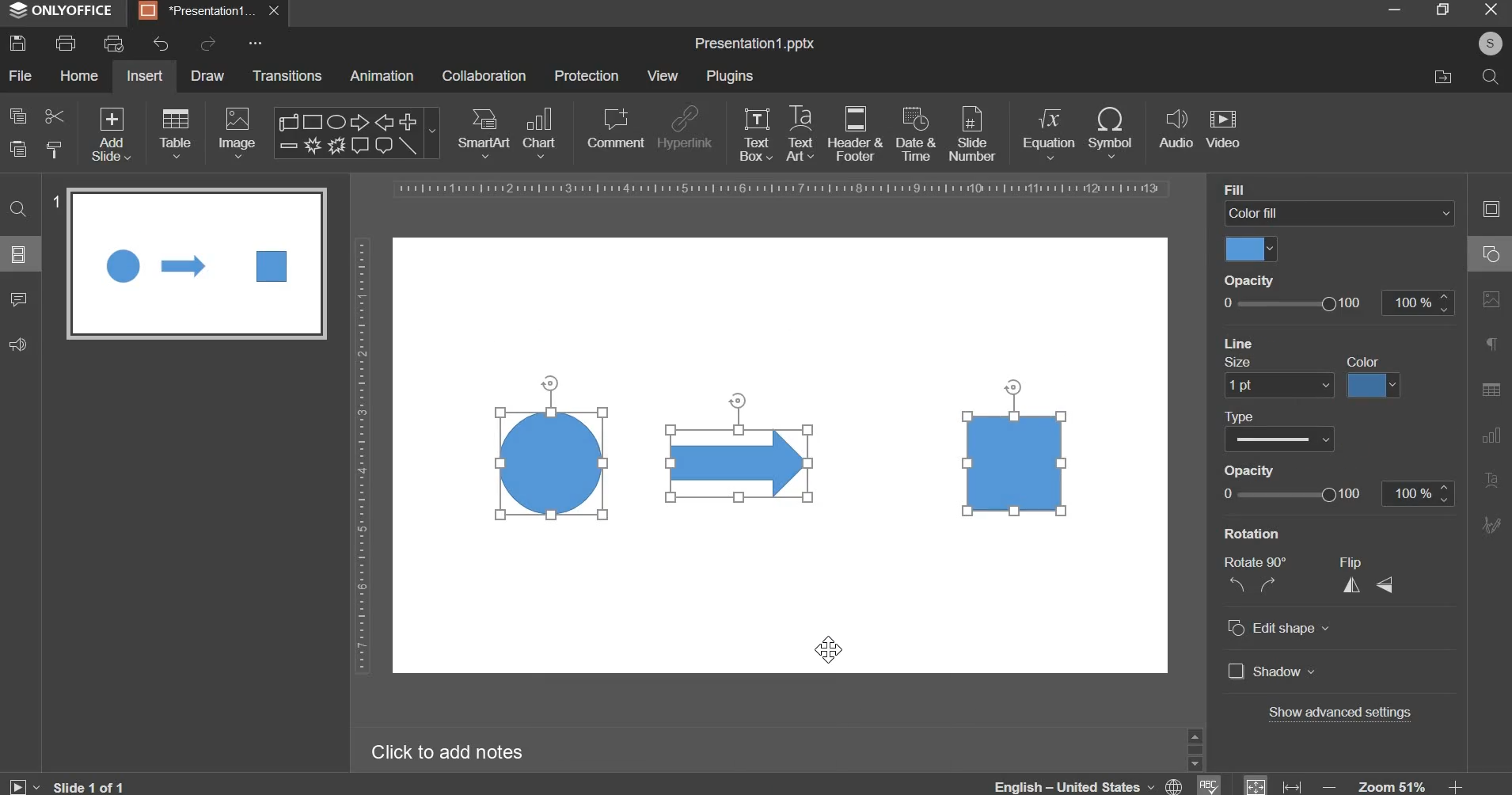  Describe the element at coordinates (1245, 415) in the screenshot. I see `type` at that location.